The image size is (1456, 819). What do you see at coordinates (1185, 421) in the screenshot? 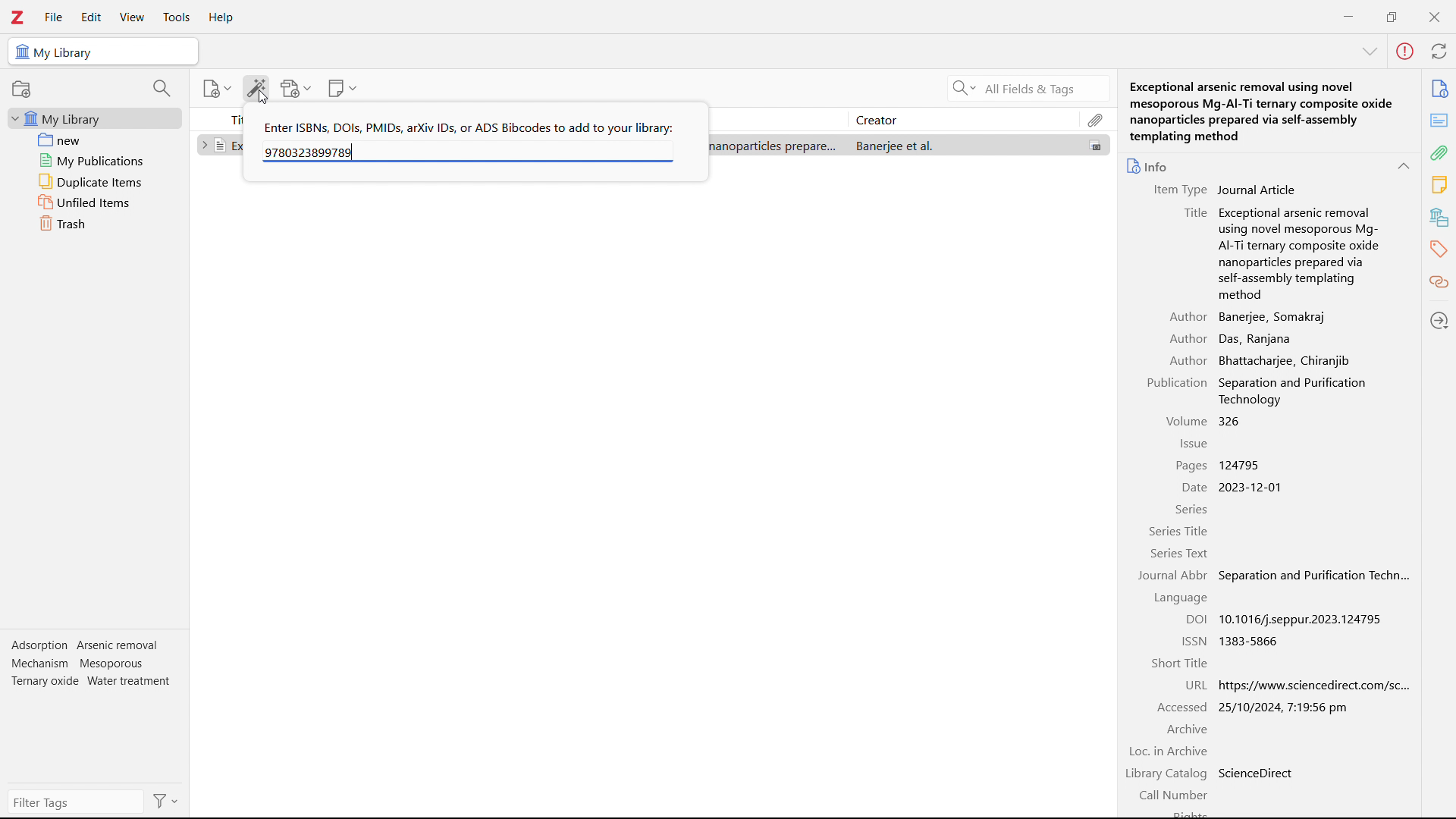
I see `volume` at bounding box center [1185, 421].